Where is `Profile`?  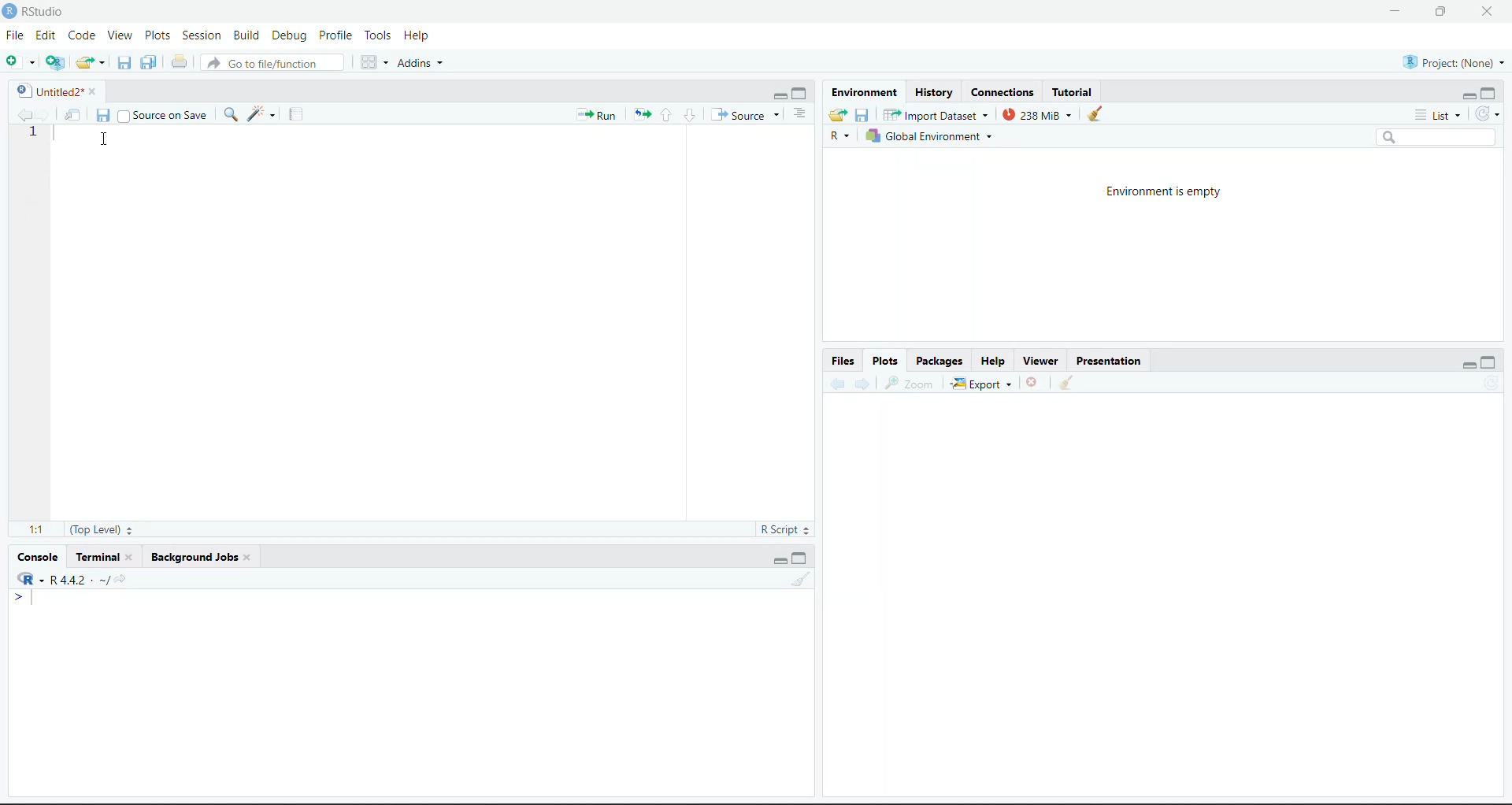
Profile is located at coordinates (337, 35).